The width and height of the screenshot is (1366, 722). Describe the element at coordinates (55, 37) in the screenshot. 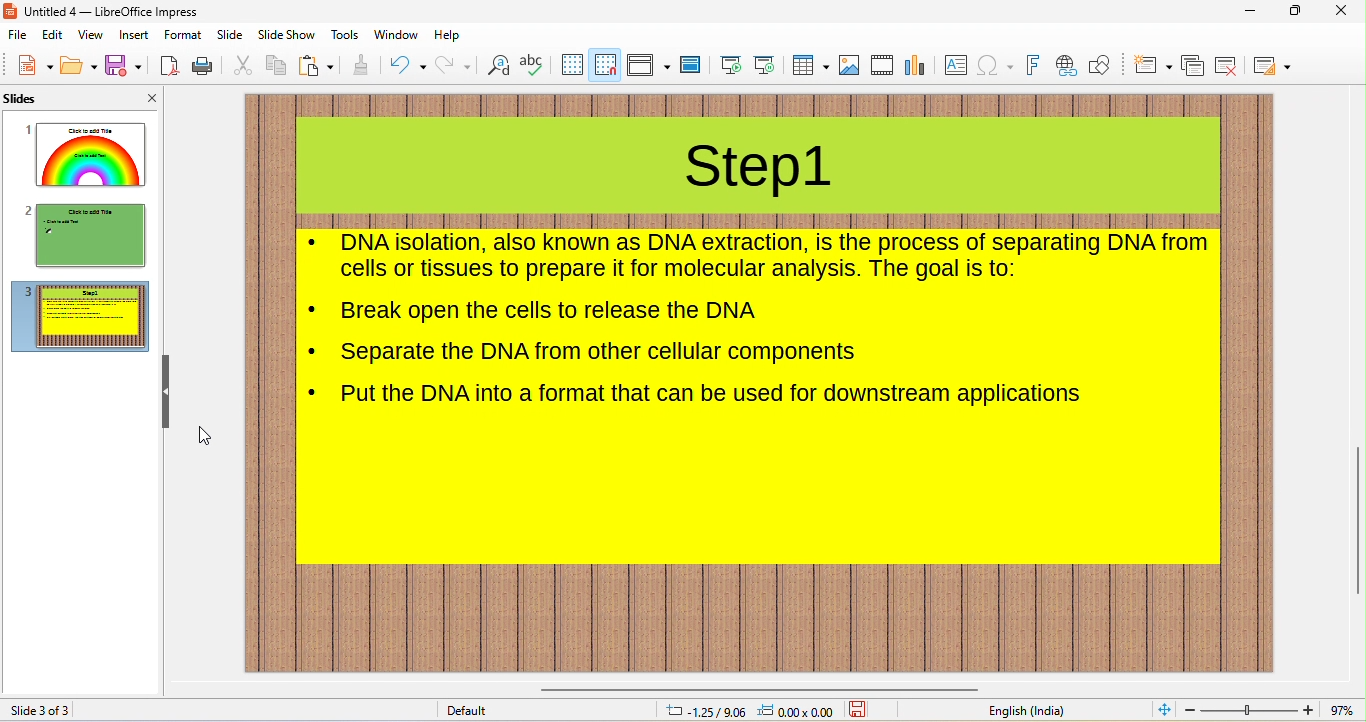

I see `edit` at that location.